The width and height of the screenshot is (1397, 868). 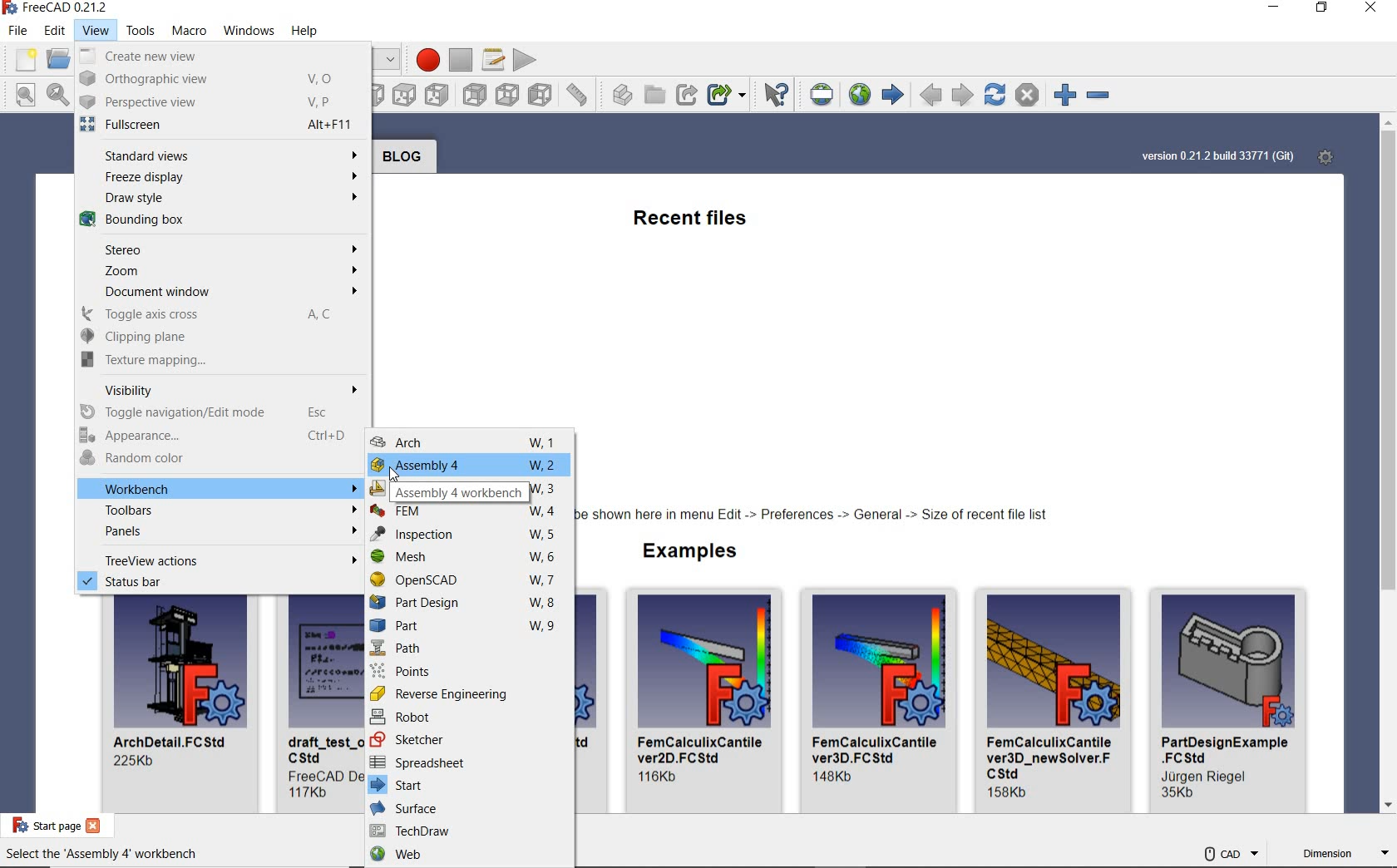 I want to click on Assembly 4 workbench, so click(x=460, y=491).